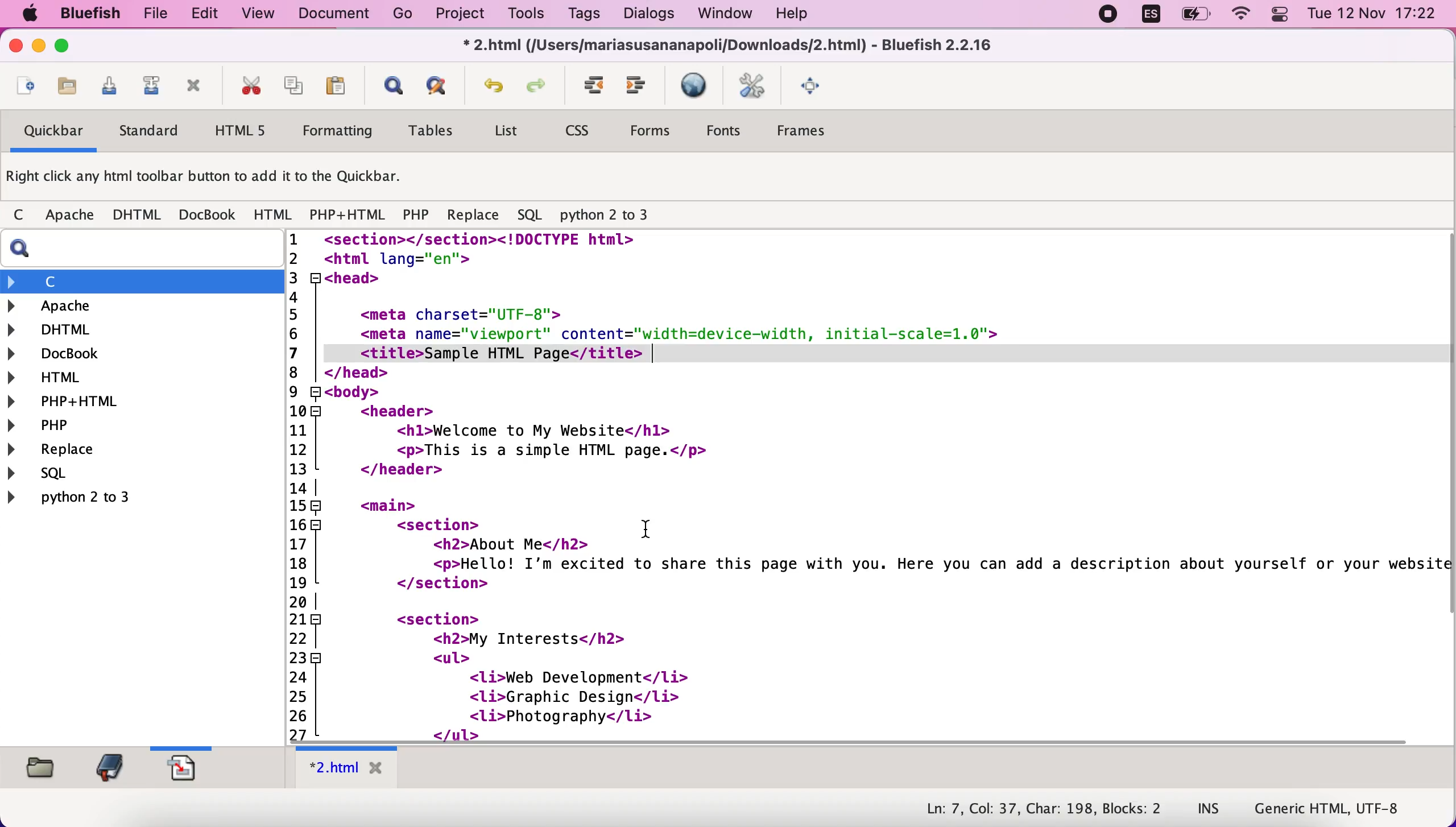  Describe the element at coordinates (417, 214) in the screenshot. I see `php` at that location.